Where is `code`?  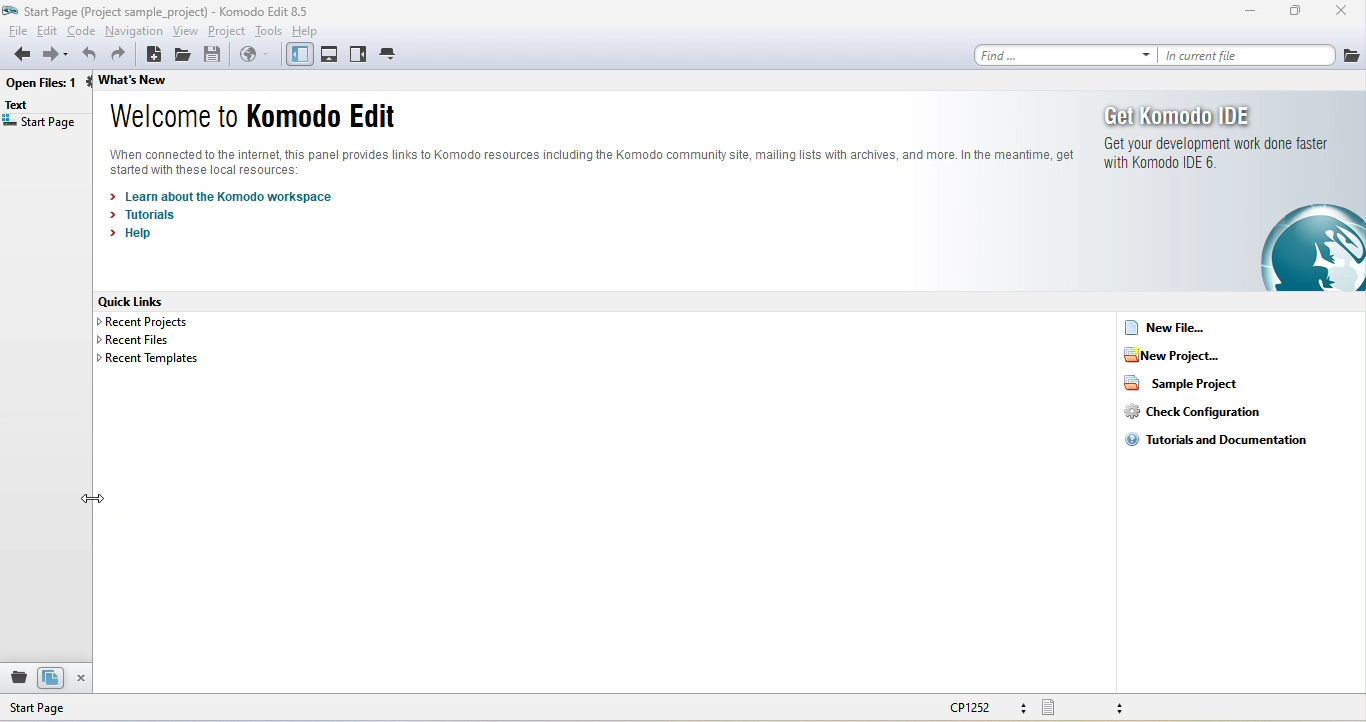 code is located at coordinates (82, 30).